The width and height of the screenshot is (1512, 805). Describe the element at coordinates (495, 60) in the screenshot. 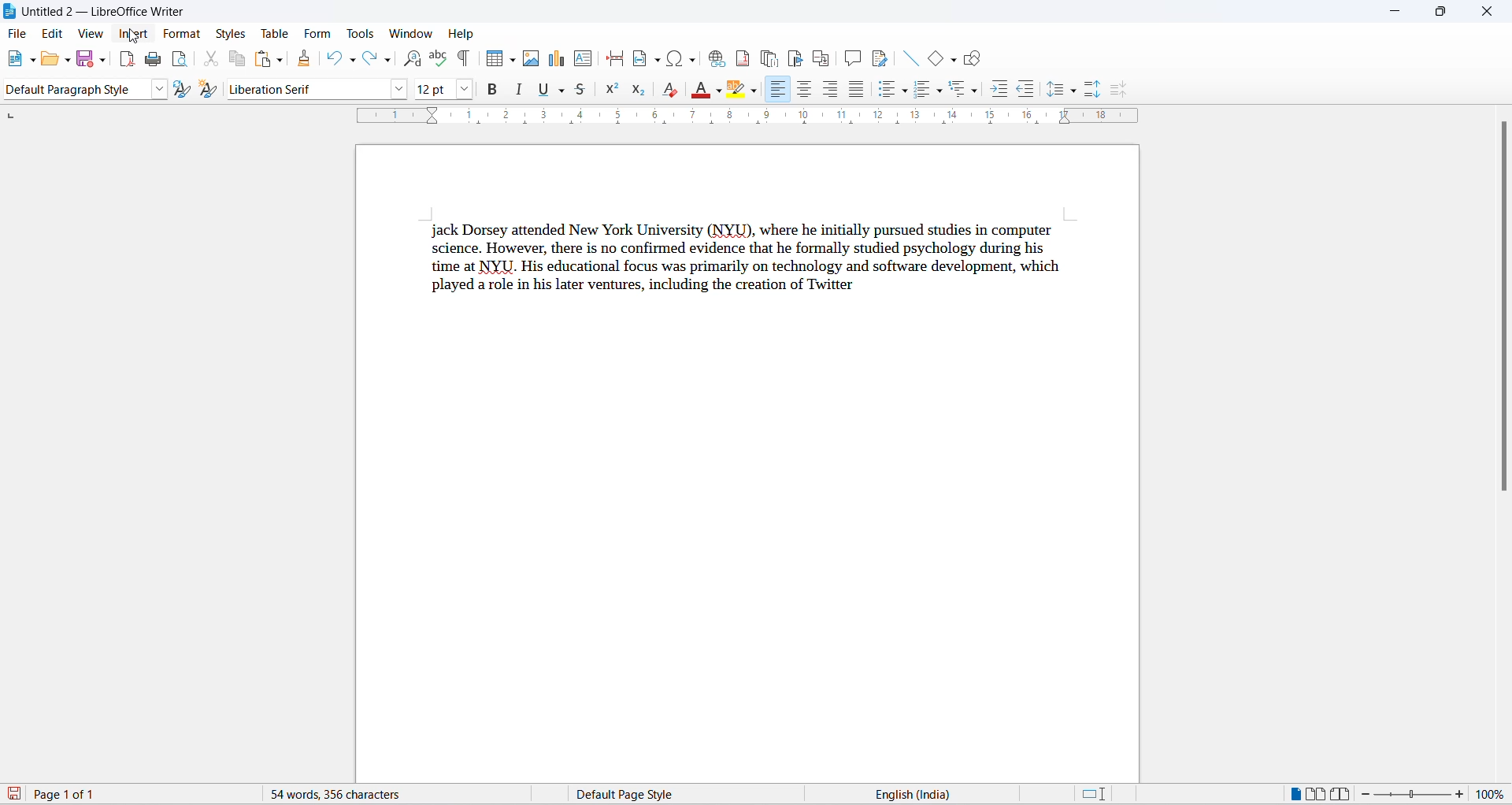

I see `insert table` at that location.